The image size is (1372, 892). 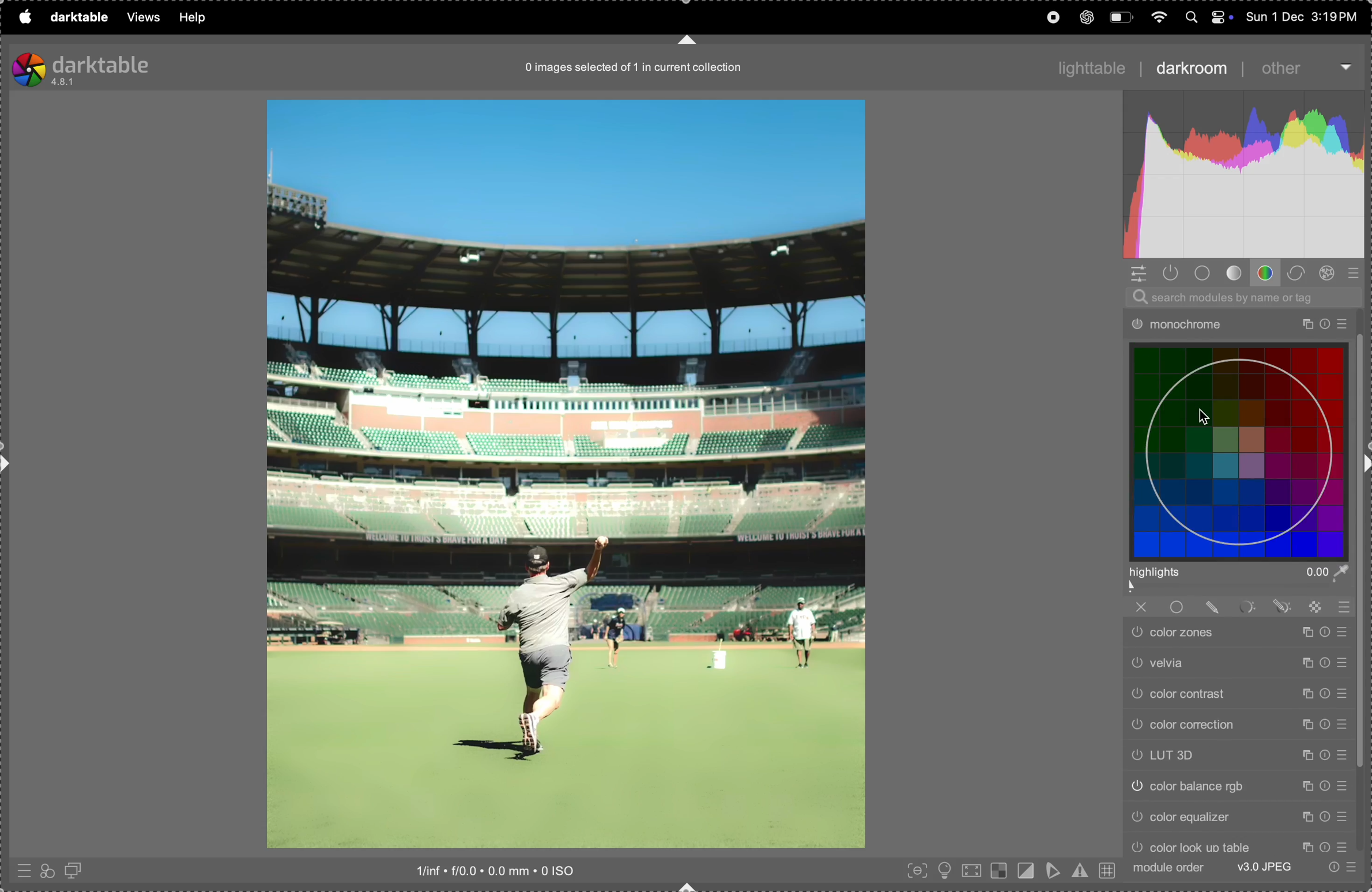 What do you see at coordinates (1241, 845) in the screenshot?
I see `click lookup table` at bounding box center [1241, 845].